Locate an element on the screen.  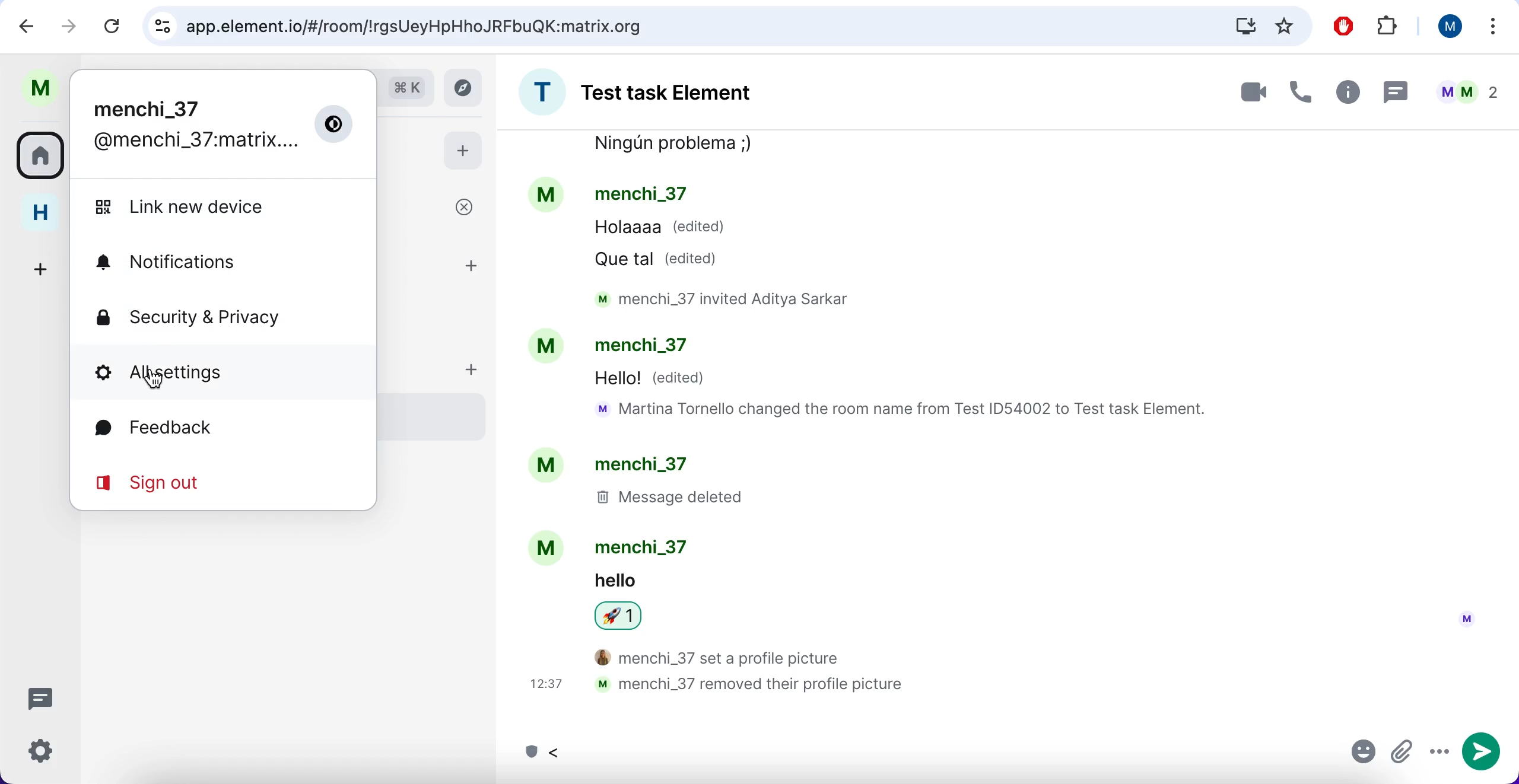
sign out is located at coordinates (205, 486).